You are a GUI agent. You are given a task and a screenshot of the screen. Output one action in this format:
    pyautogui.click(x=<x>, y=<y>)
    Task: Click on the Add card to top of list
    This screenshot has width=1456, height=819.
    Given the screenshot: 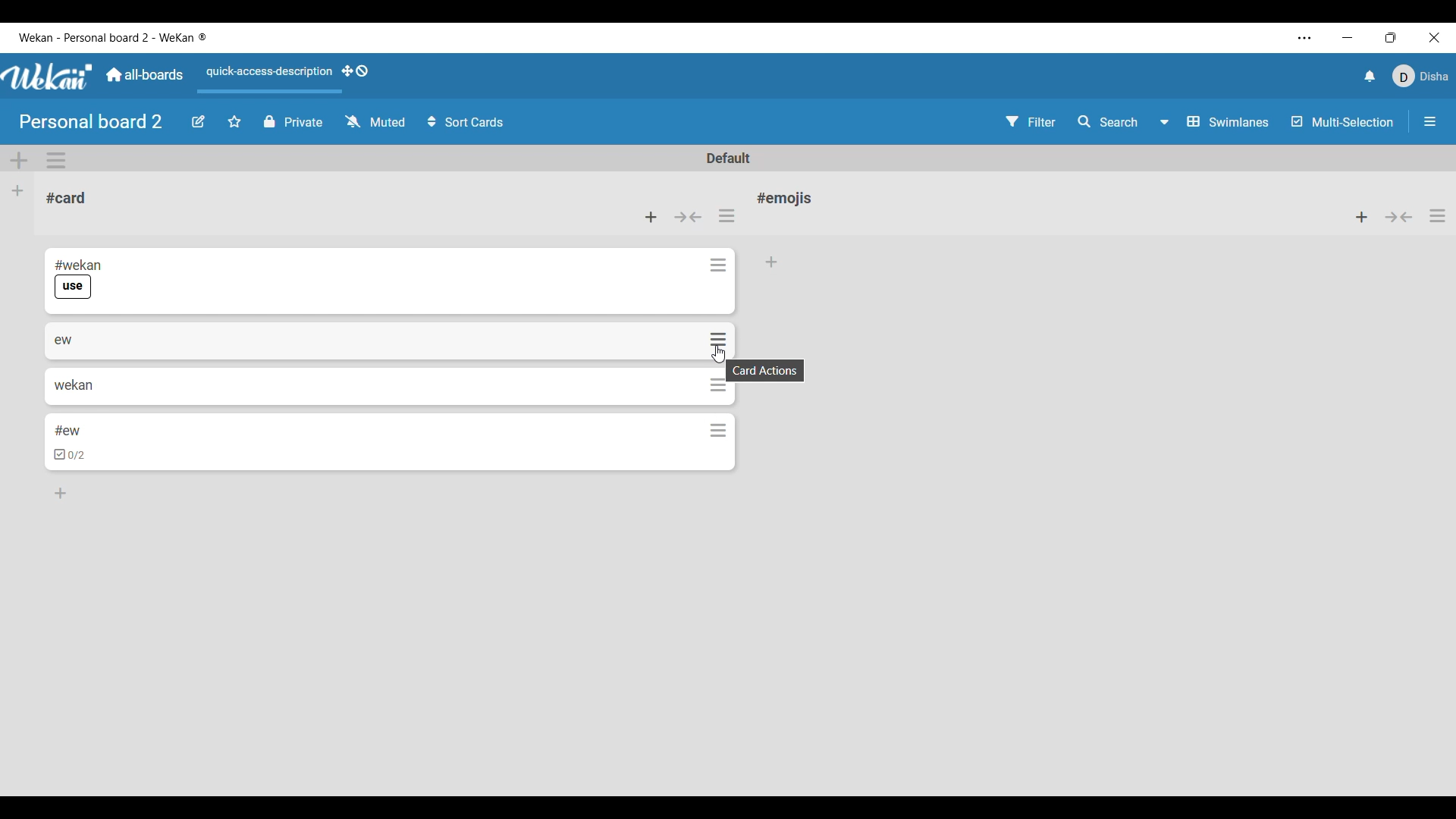 What is the action you would take?
    pyautogui.click(x=651, y=217)
    